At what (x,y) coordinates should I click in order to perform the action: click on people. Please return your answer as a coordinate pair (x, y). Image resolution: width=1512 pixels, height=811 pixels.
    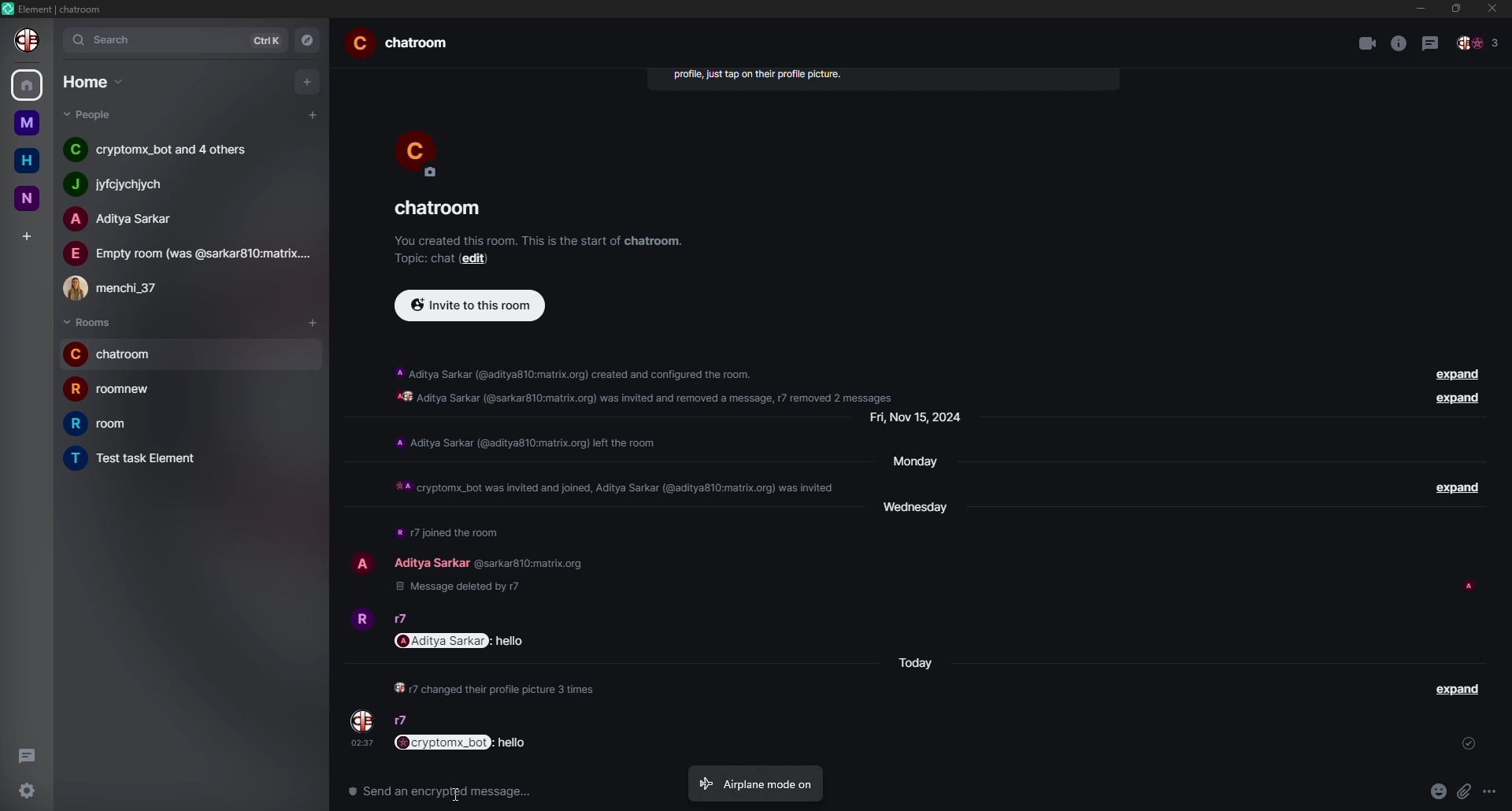
    Looking at the image, I should click on (435, 561).